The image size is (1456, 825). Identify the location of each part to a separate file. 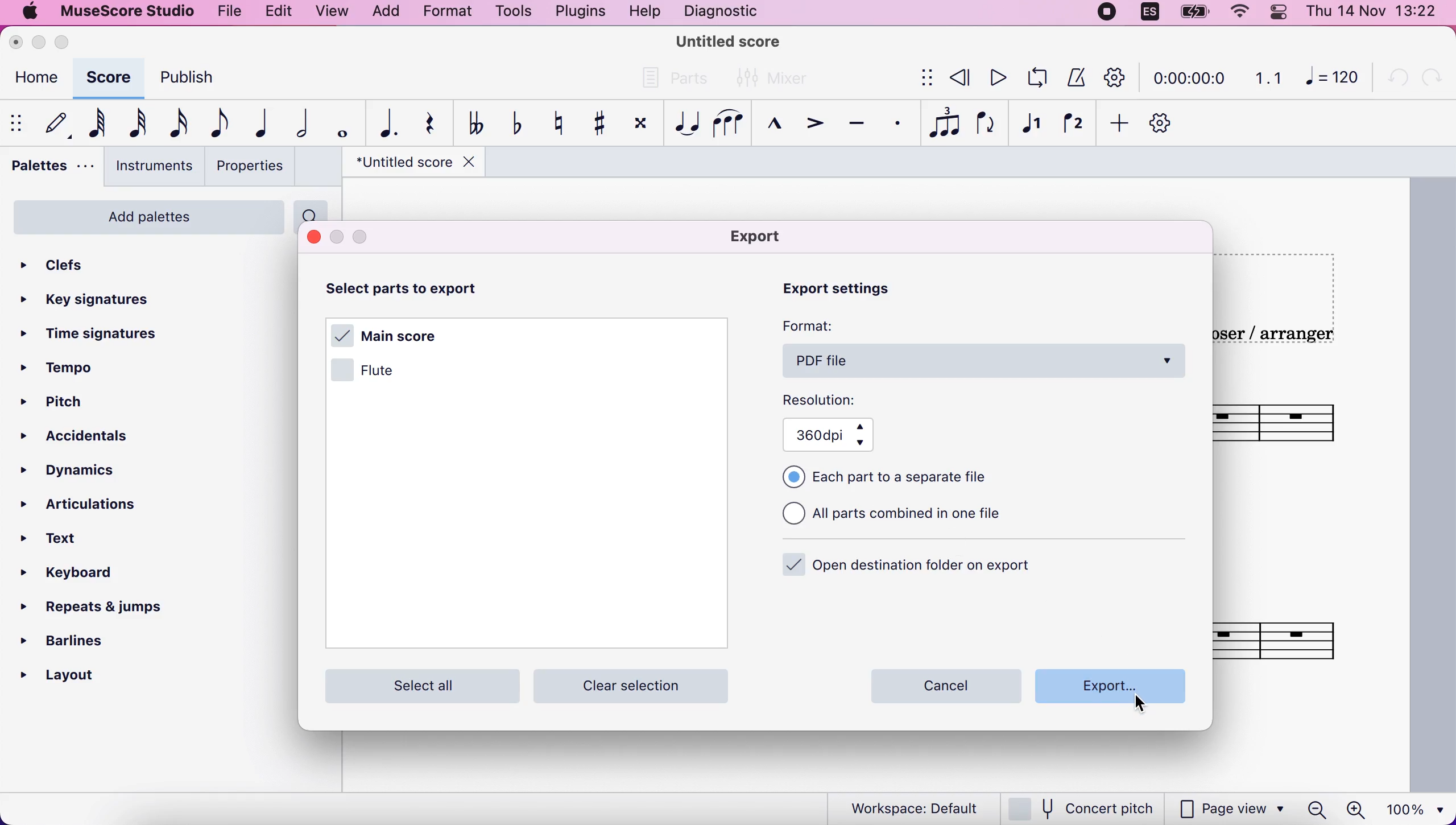
(891, 478).